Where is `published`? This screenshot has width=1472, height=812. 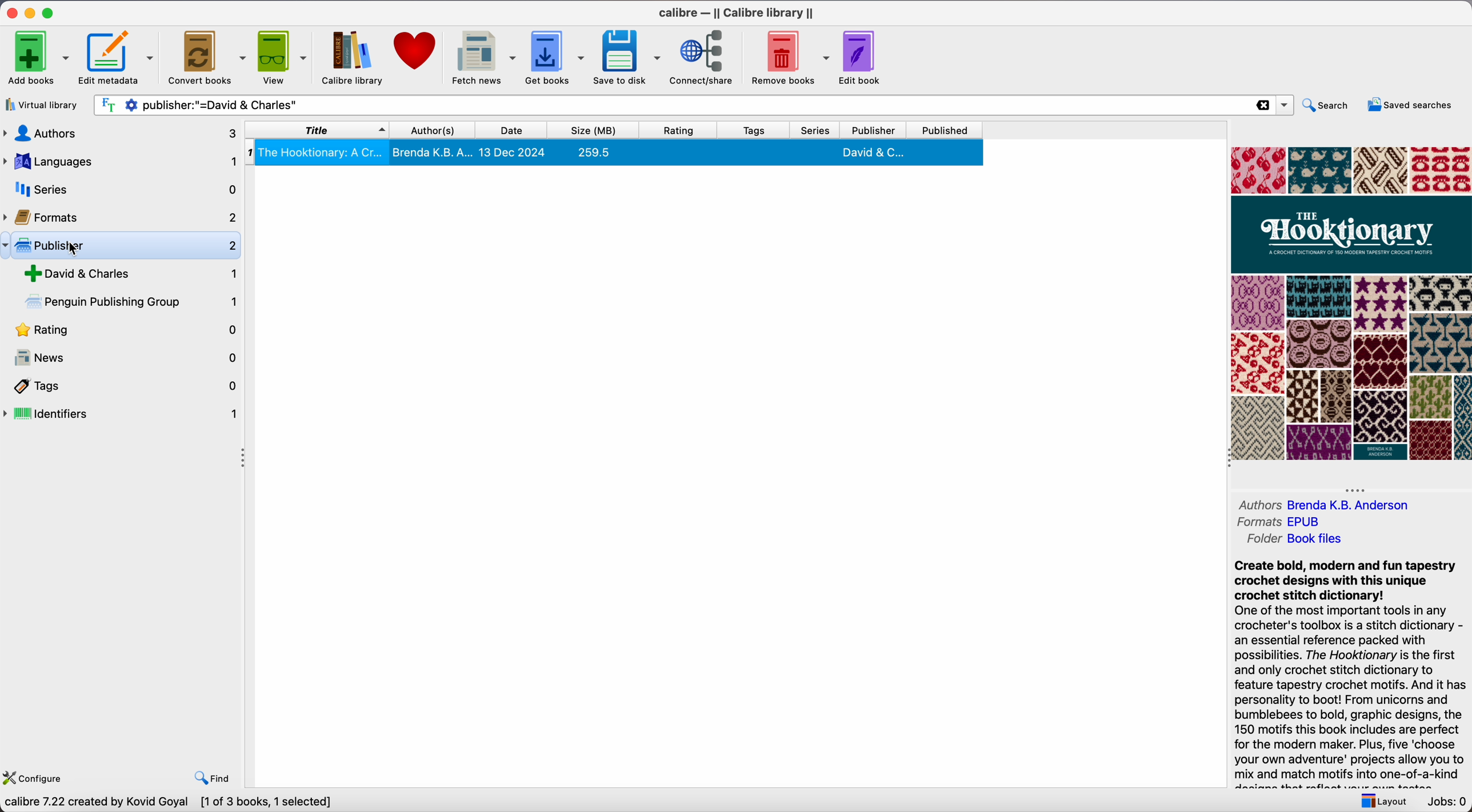
published is located at coordinates (947, 130).